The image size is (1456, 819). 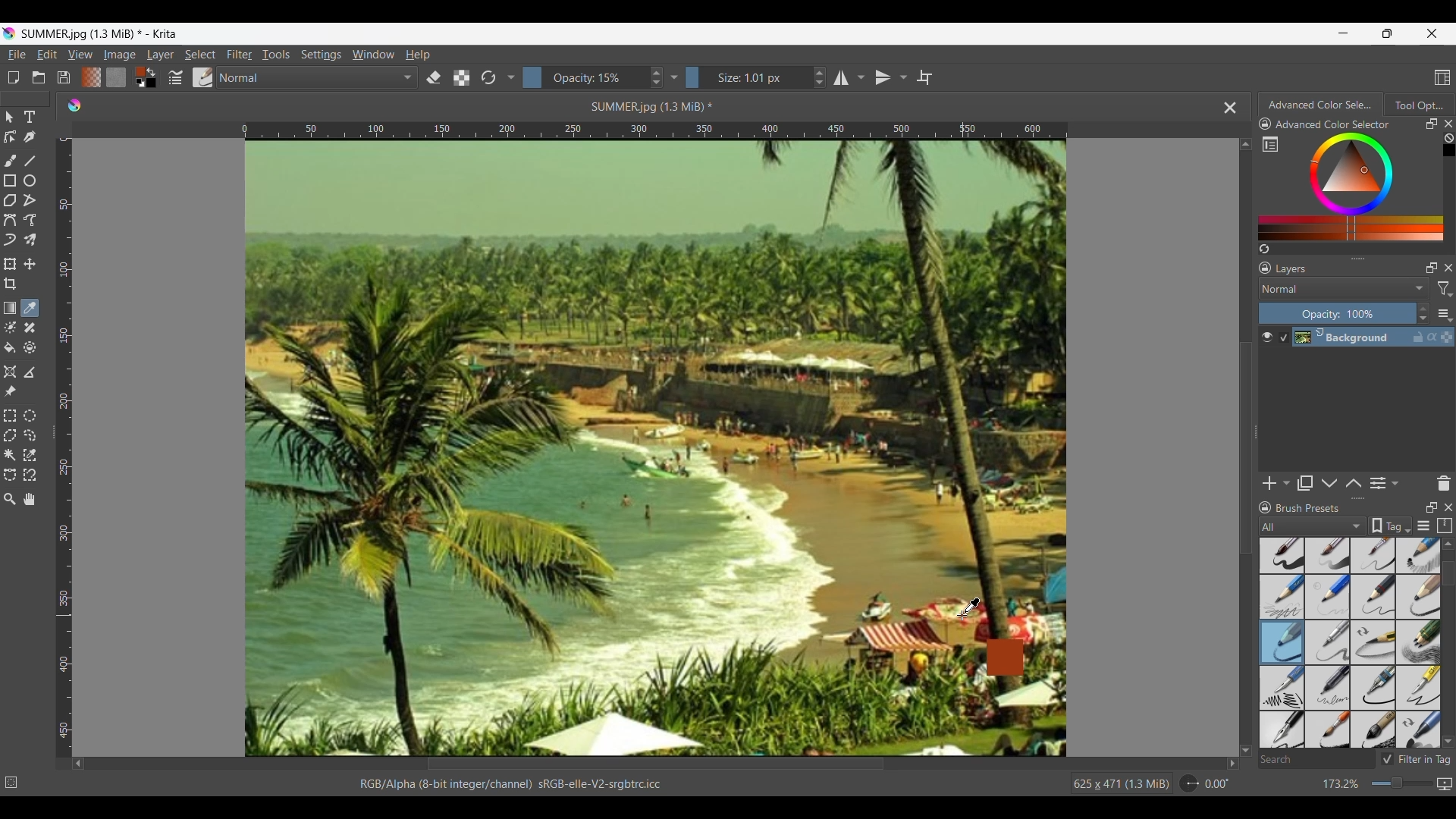 What do you see at coordinates (78, 764) in the screenshot?
I see `Quick slide to left` at bounding box center [78, 764].